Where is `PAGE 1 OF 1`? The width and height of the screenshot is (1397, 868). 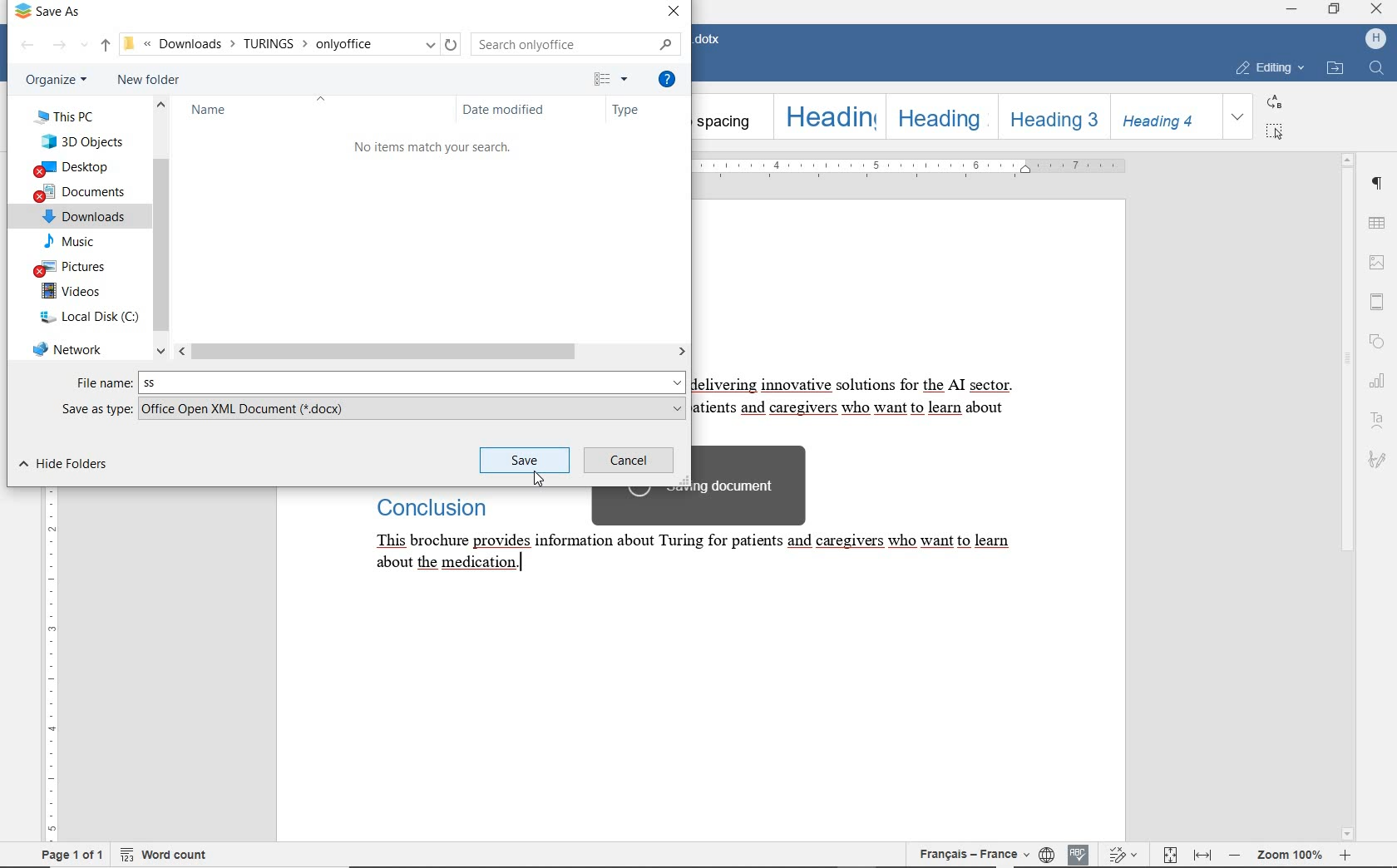 PAGE 1 OF 1 is located at coordinates (73, 855).